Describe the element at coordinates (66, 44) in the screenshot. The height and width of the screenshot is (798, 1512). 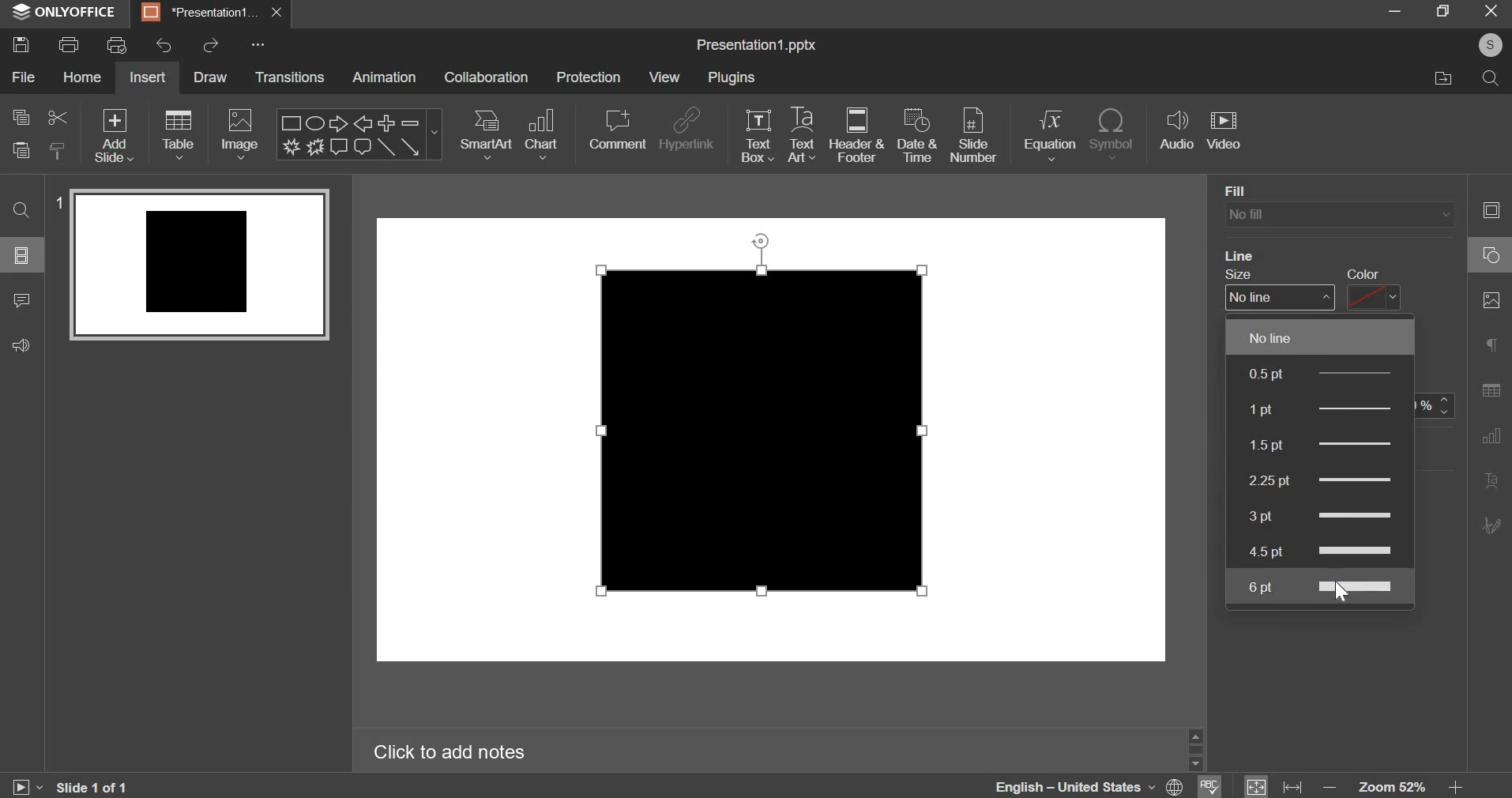
I see `print` at that location.